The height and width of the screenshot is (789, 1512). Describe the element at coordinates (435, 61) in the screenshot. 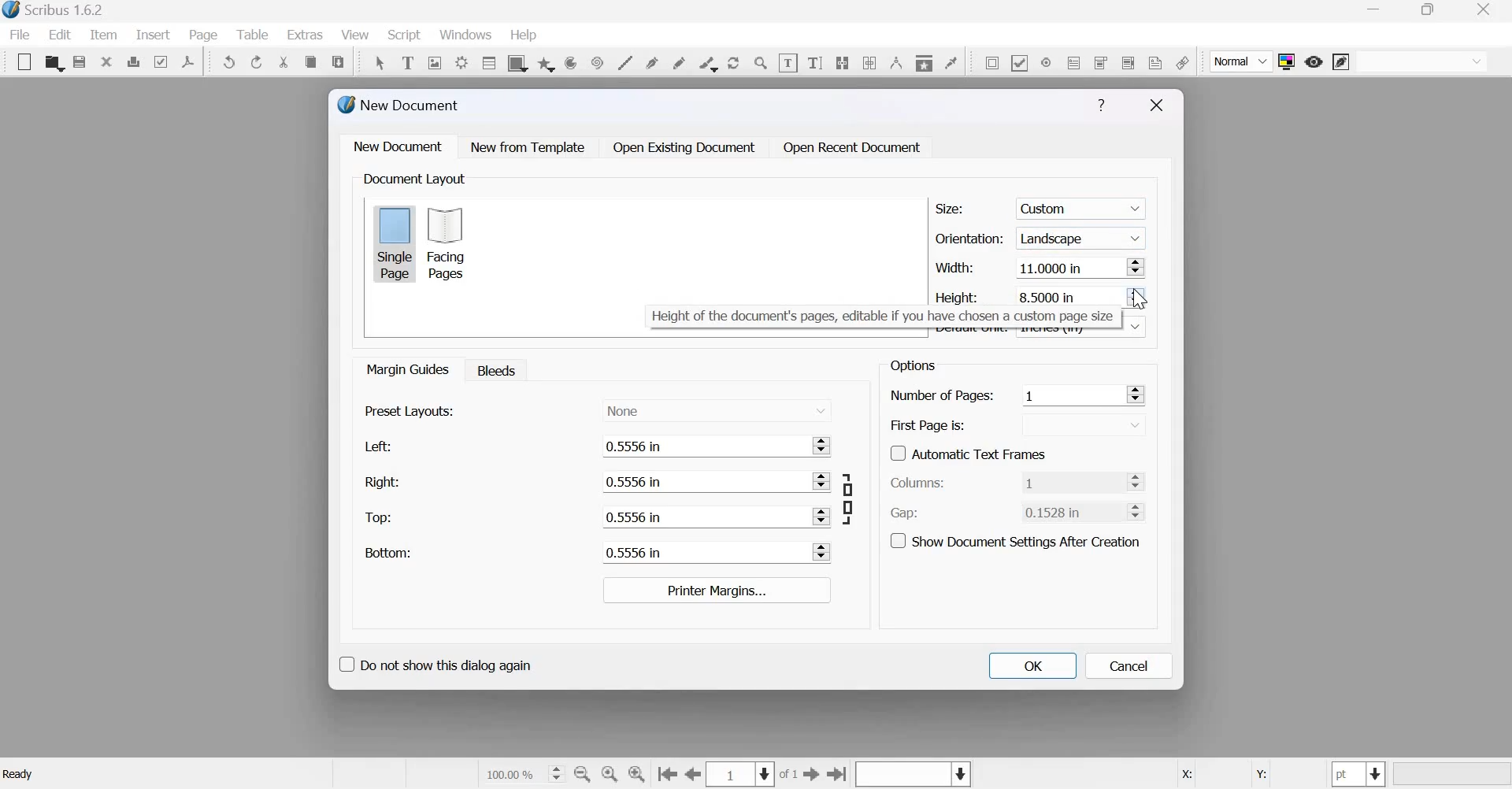

I see `Image frame` at that location.